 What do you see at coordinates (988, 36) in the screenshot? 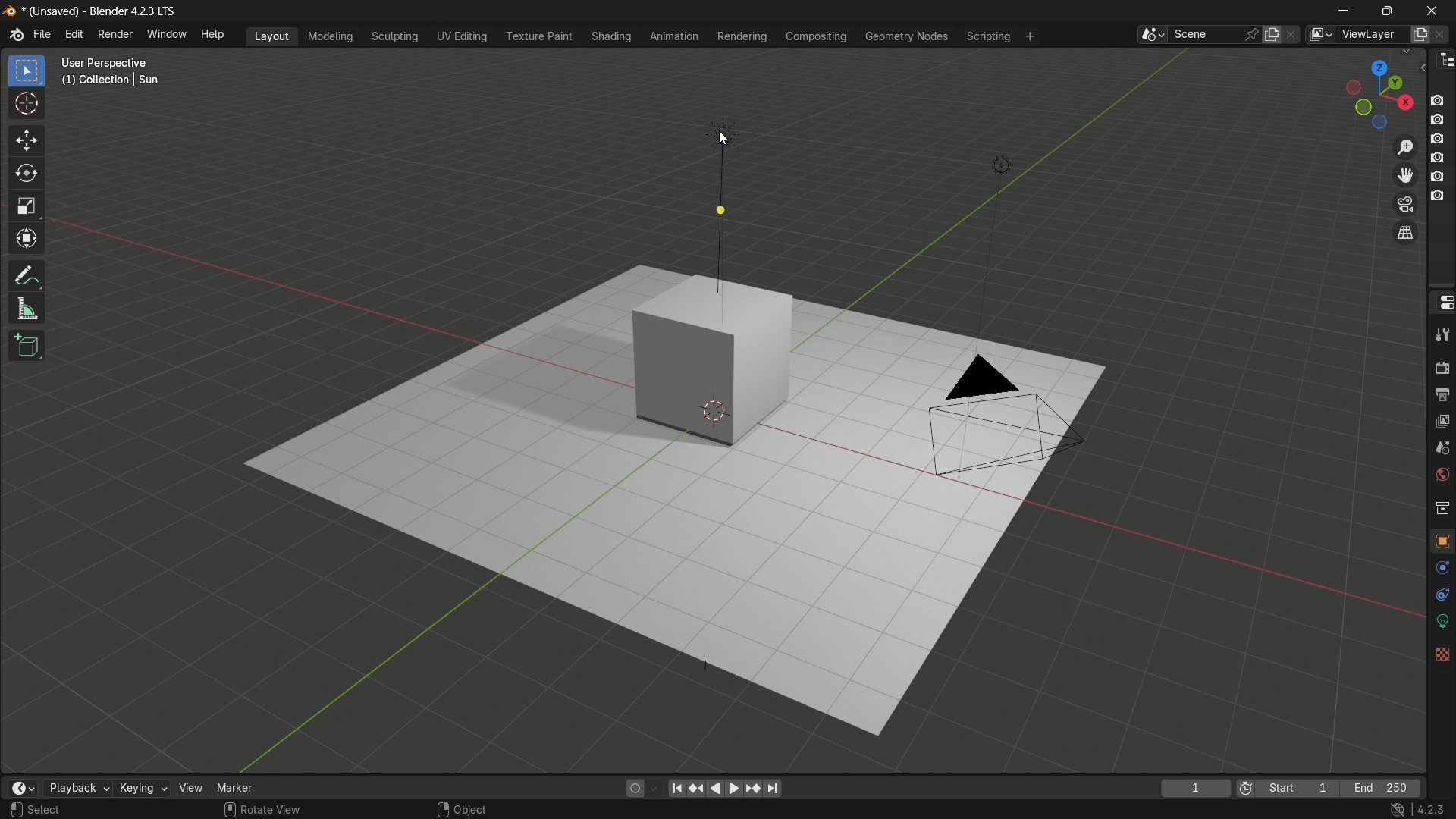
I see `scripting` at bounding box center [988, 36].